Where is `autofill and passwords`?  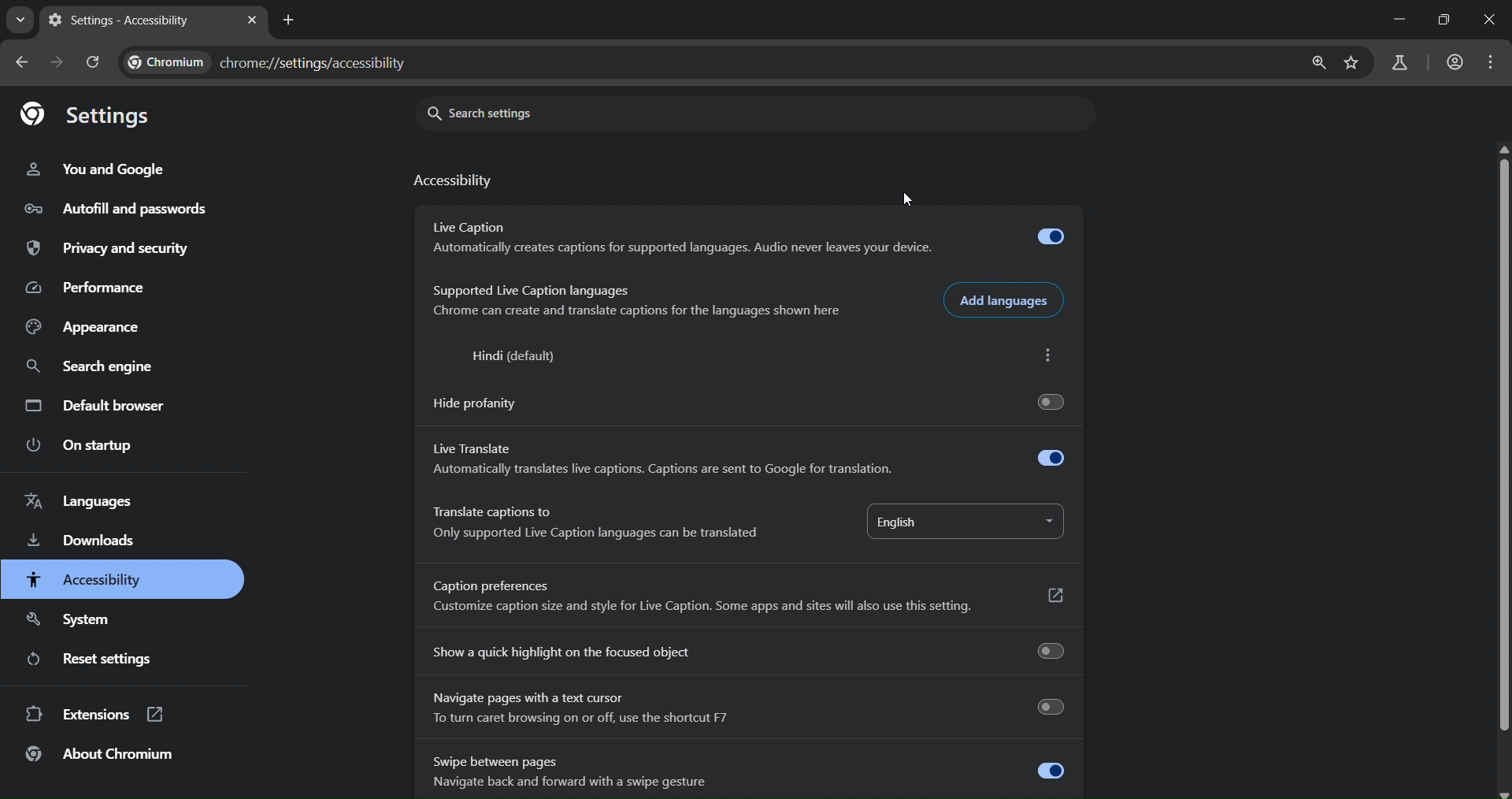 autofill and passwords is located at coordinates (123, 208).